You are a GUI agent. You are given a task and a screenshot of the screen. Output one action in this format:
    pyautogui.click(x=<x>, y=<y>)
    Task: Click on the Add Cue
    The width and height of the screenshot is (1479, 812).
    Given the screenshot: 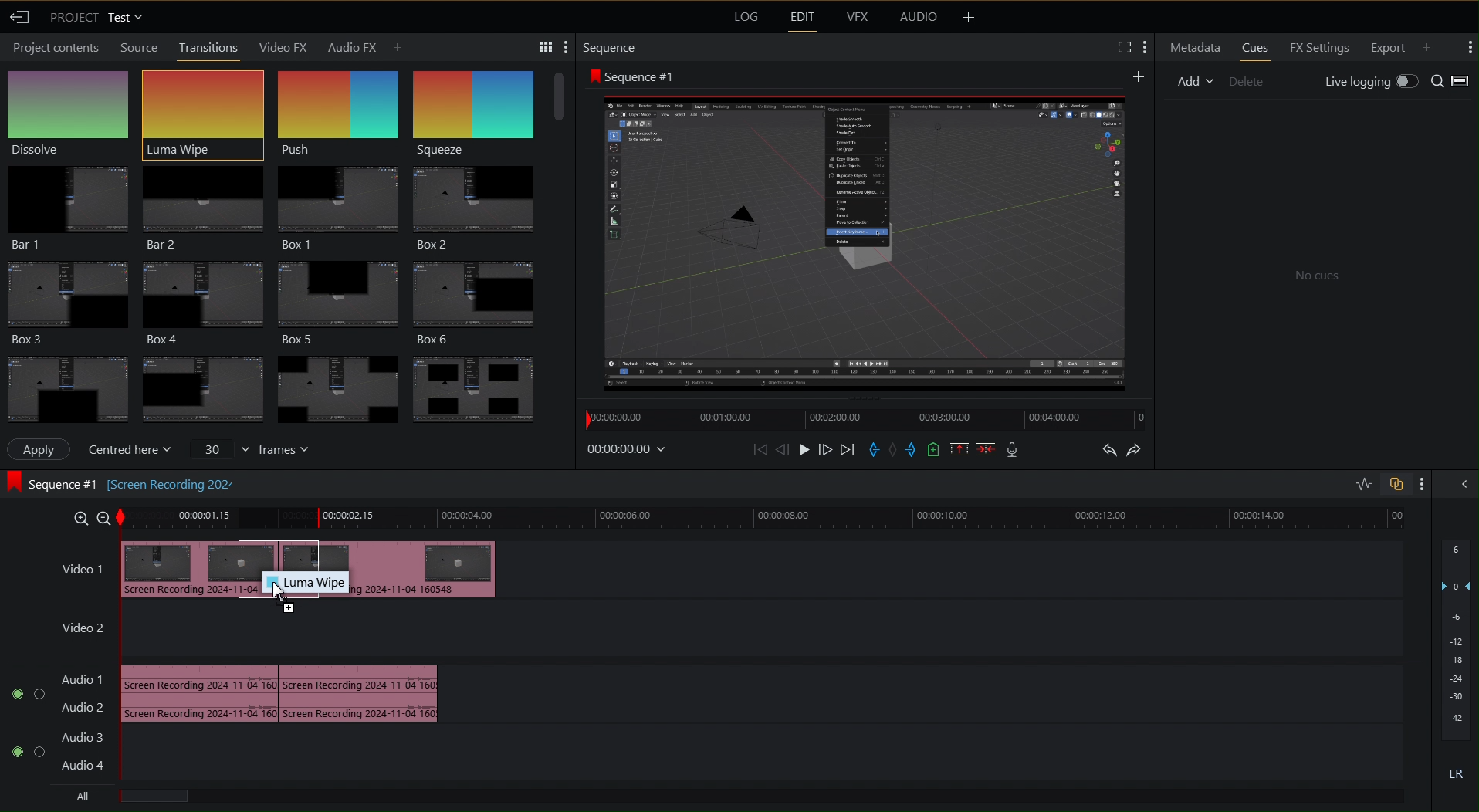 What is the action you would take?
    pyautogui.click(x=932, y=451)
    